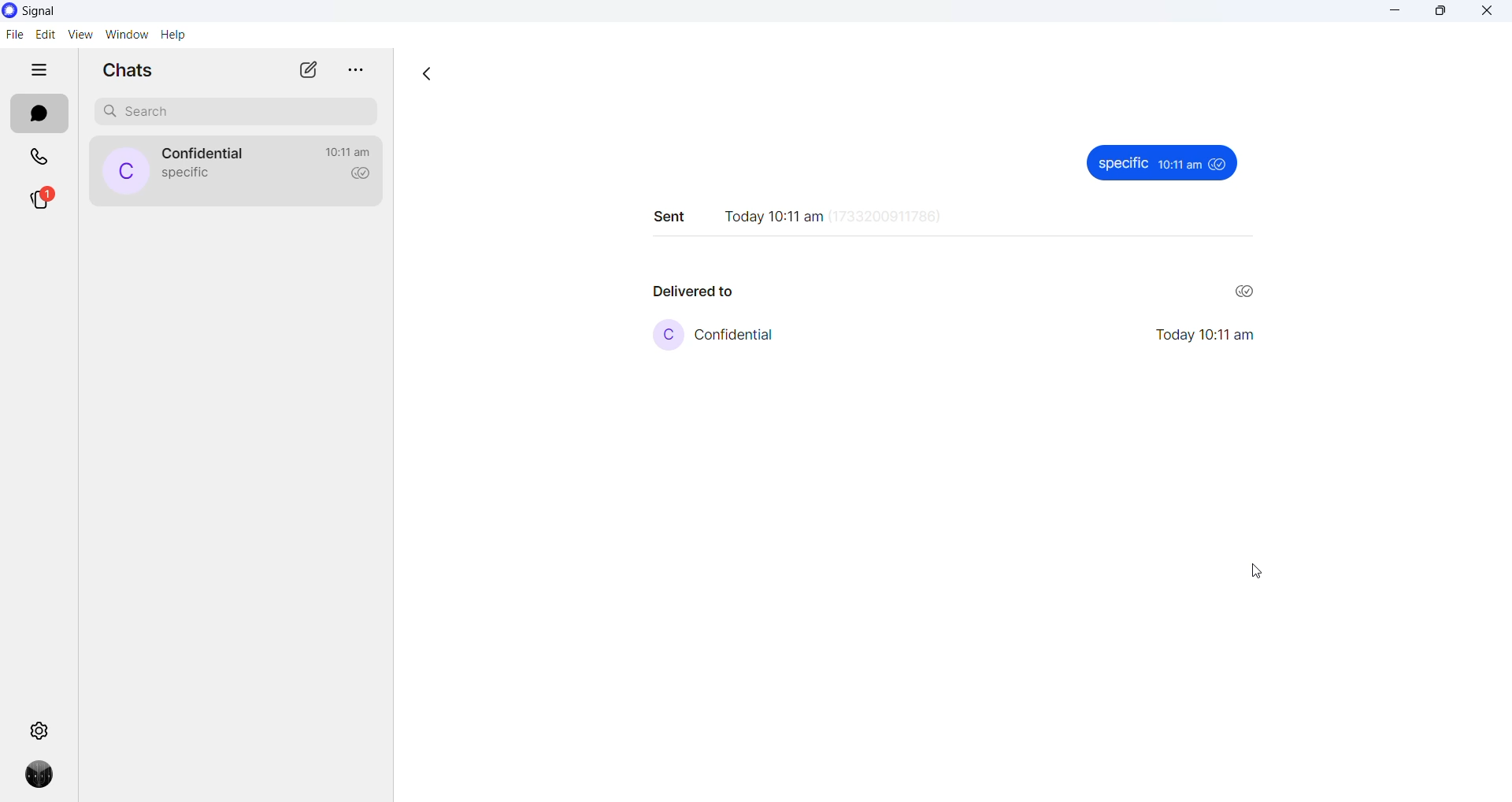  Describe the element at coordinates (188, 173) in the screenshot. I see `last message` at that location.